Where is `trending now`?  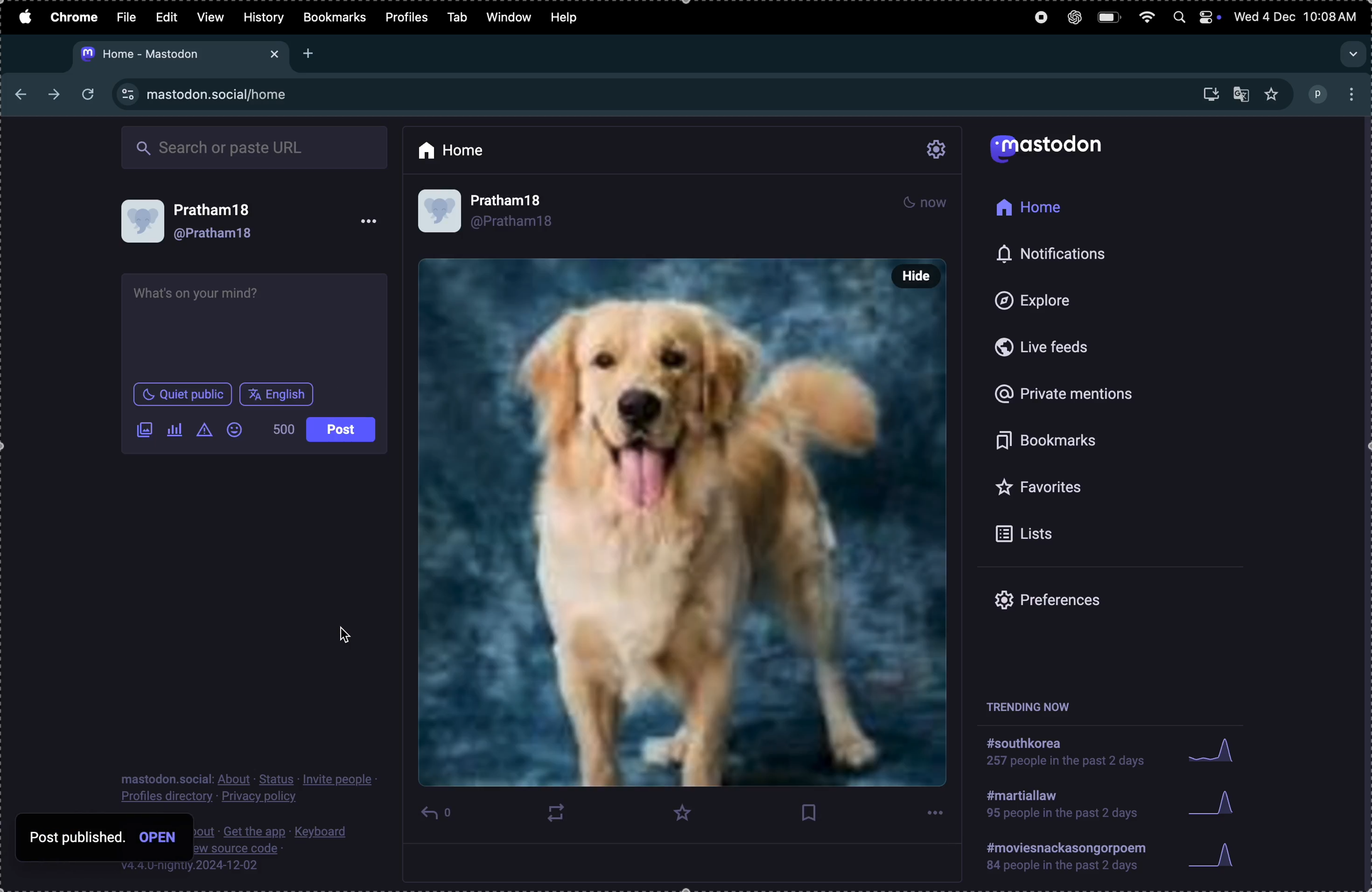
trending now is located at coordinates (1027, 706).